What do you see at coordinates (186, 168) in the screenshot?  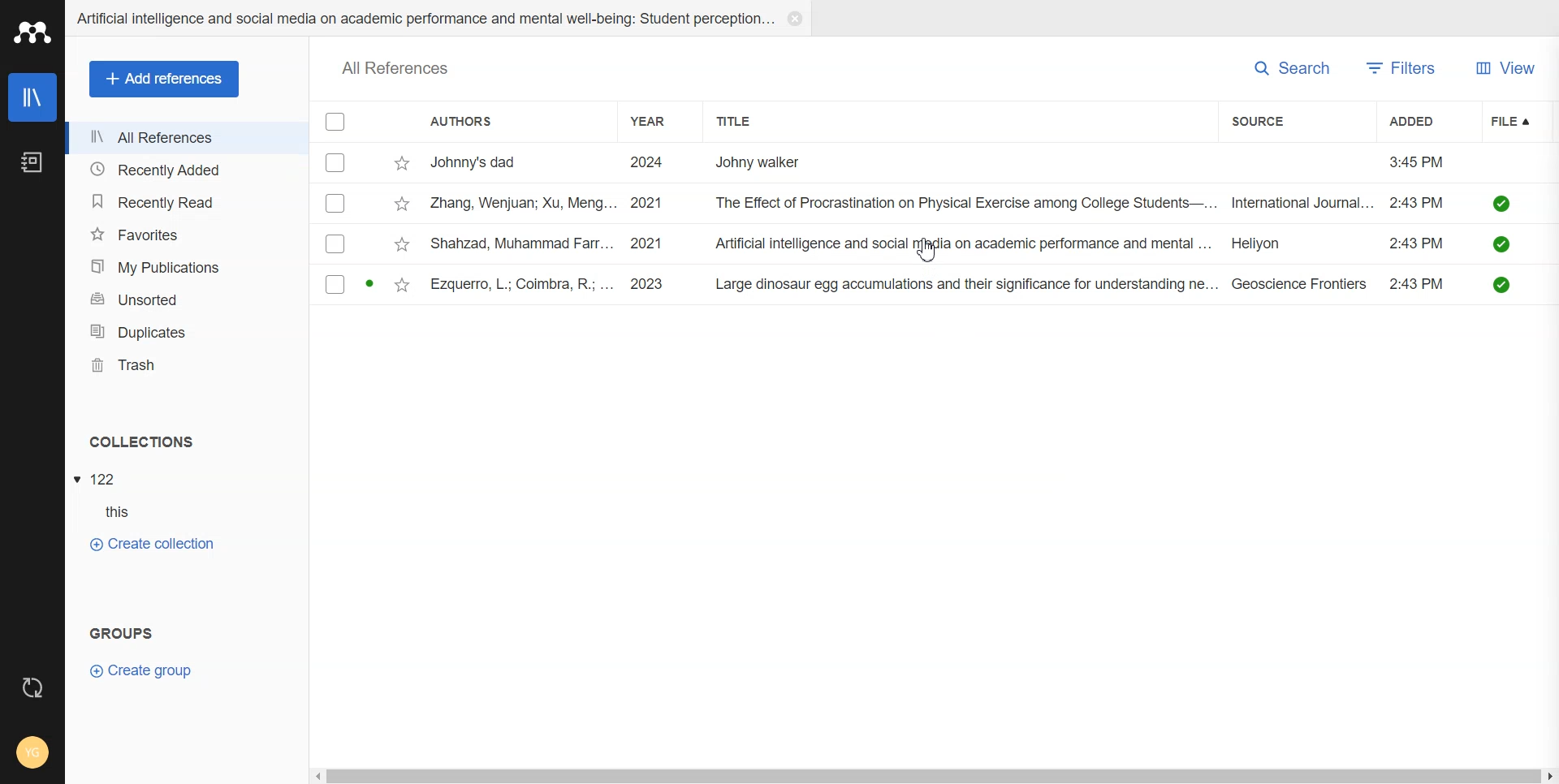 I see `Recently Added` at bounding box center [186, 168].